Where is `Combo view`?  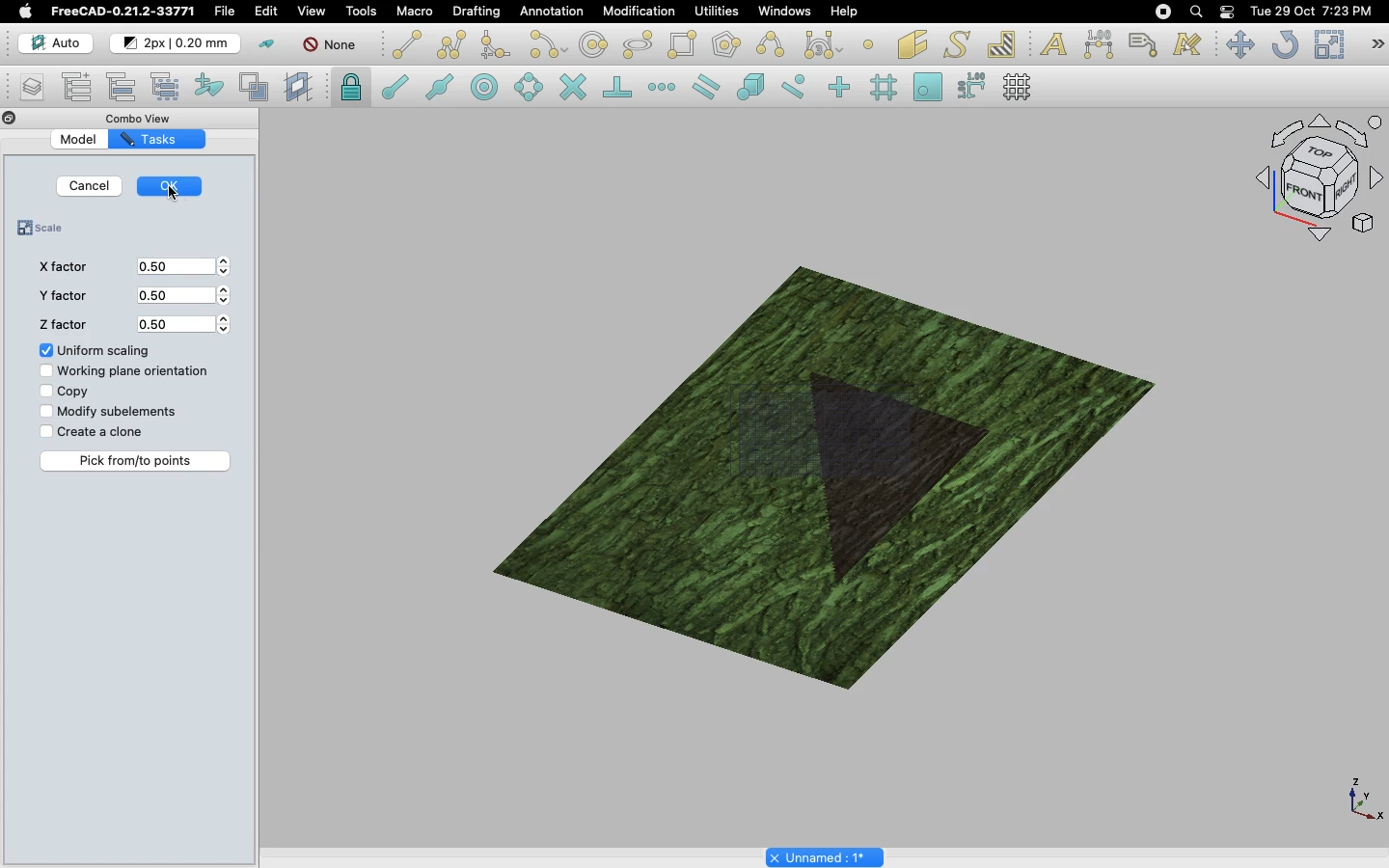 Combo view is located at coordinates (143, 116).